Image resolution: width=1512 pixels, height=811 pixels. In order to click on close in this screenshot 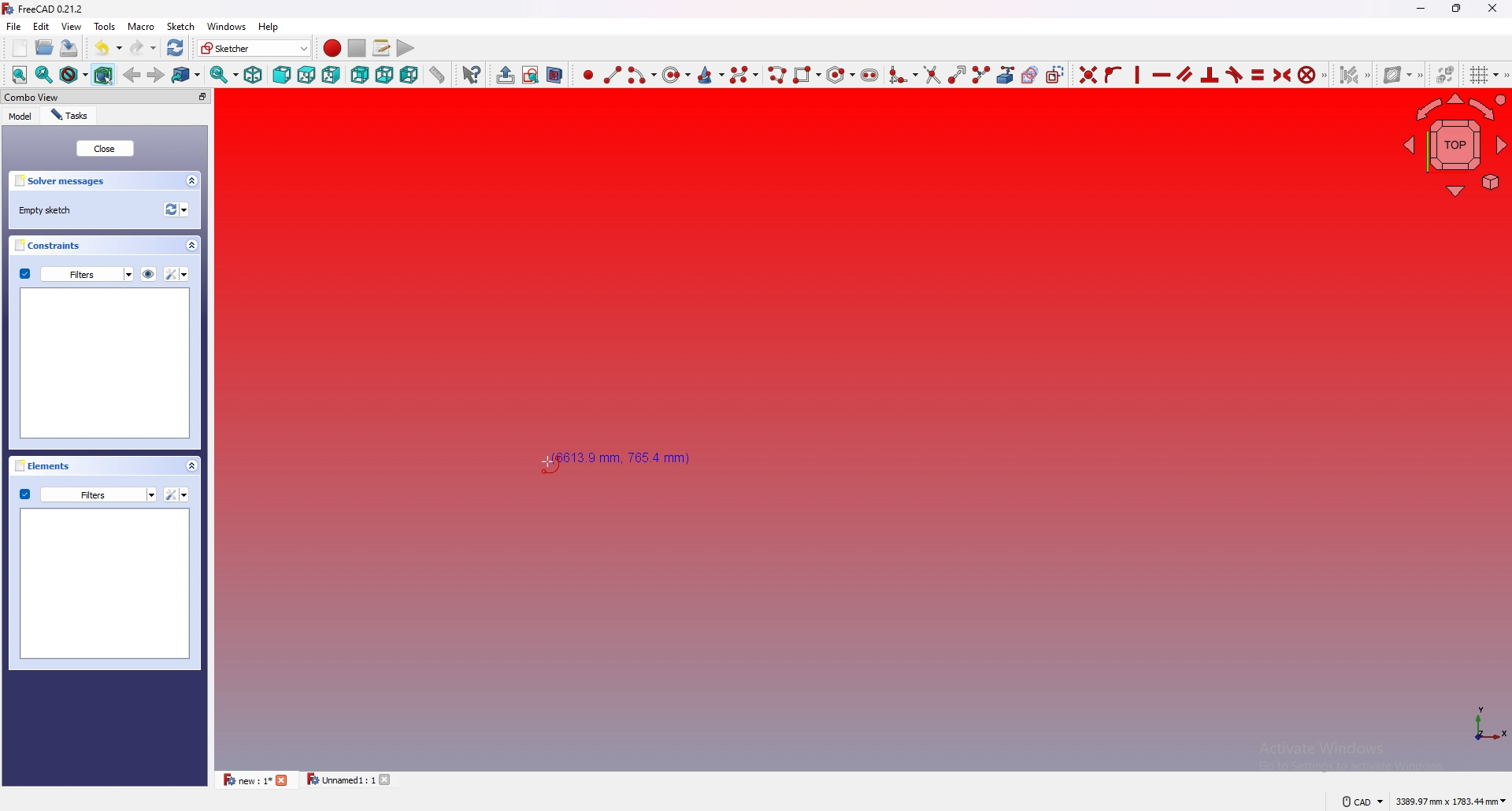, I will do `click(283, 780)`.